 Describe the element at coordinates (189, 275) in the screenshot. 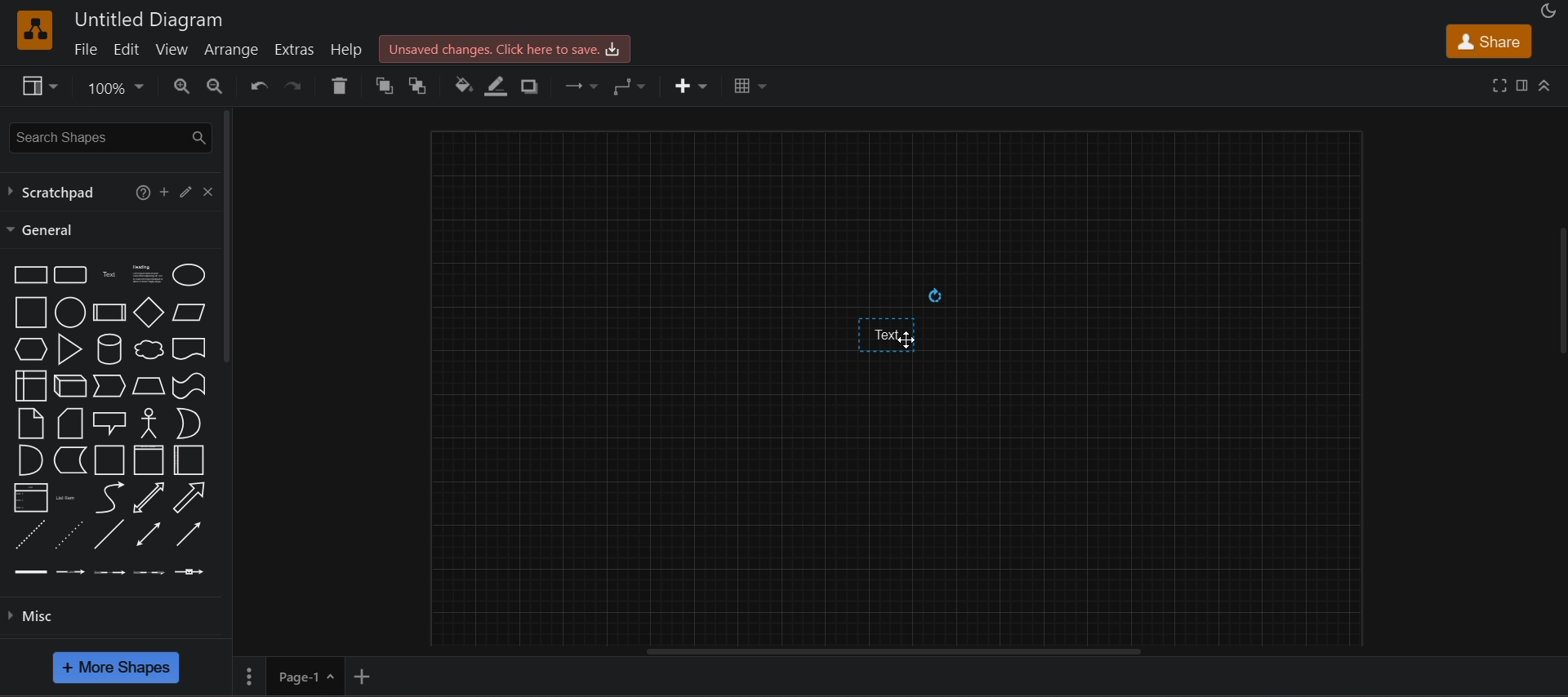

I see `Ellipse` at that location.